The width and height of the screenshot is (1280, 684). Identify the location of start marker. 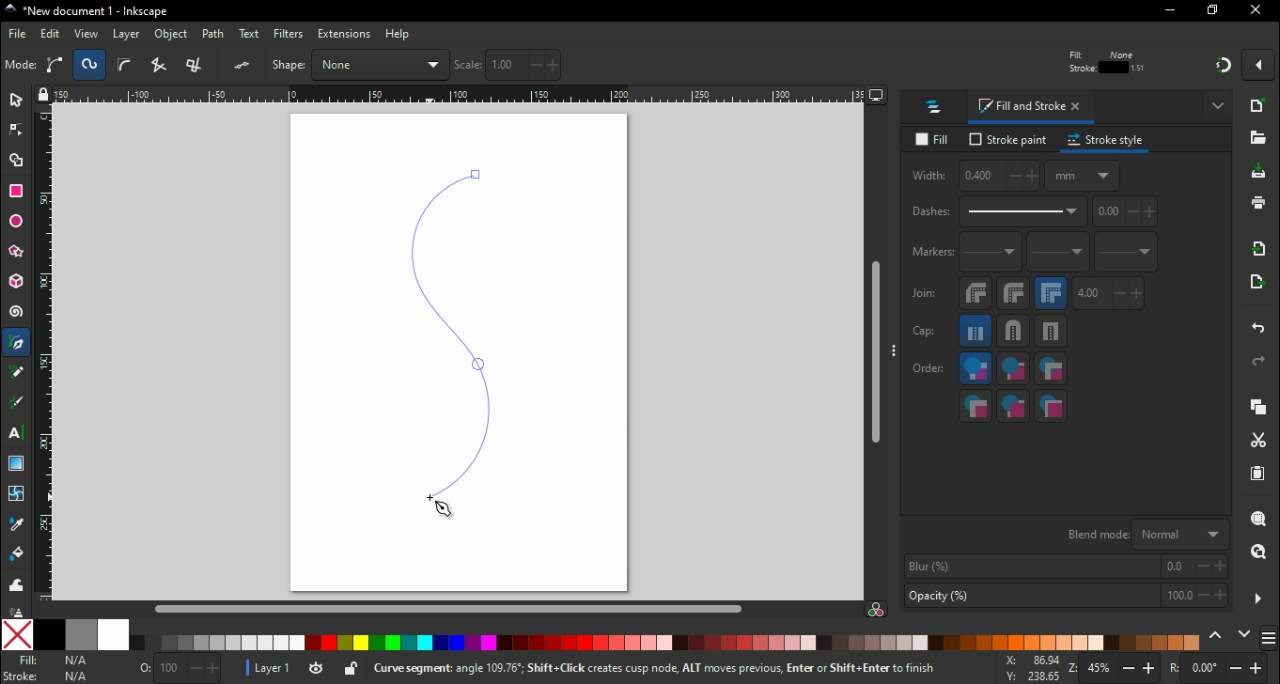
(992, 257).